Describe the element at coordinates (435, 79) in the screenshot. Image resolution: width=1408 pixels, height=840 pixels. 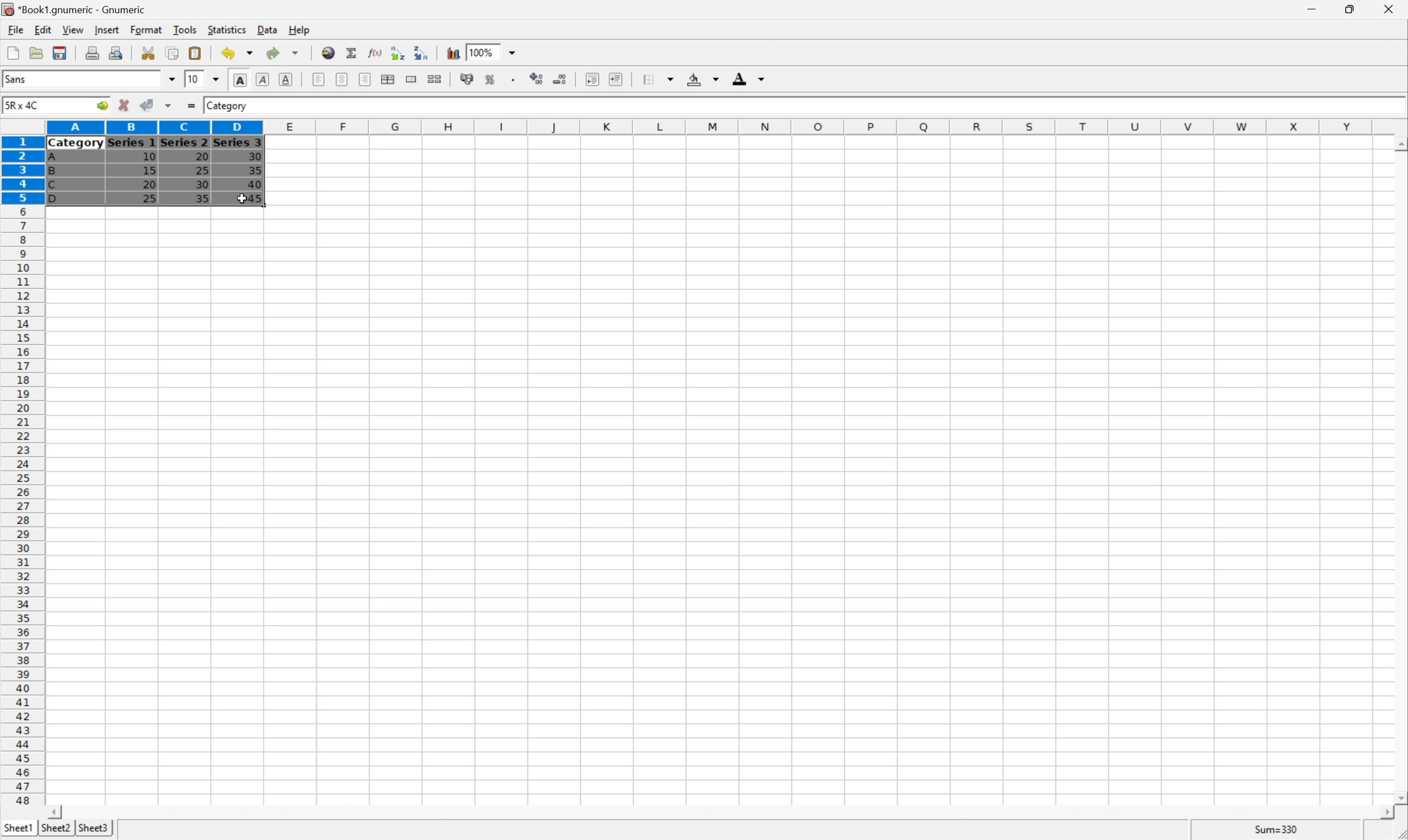
I see `Split merged ranges of cells` at that location.